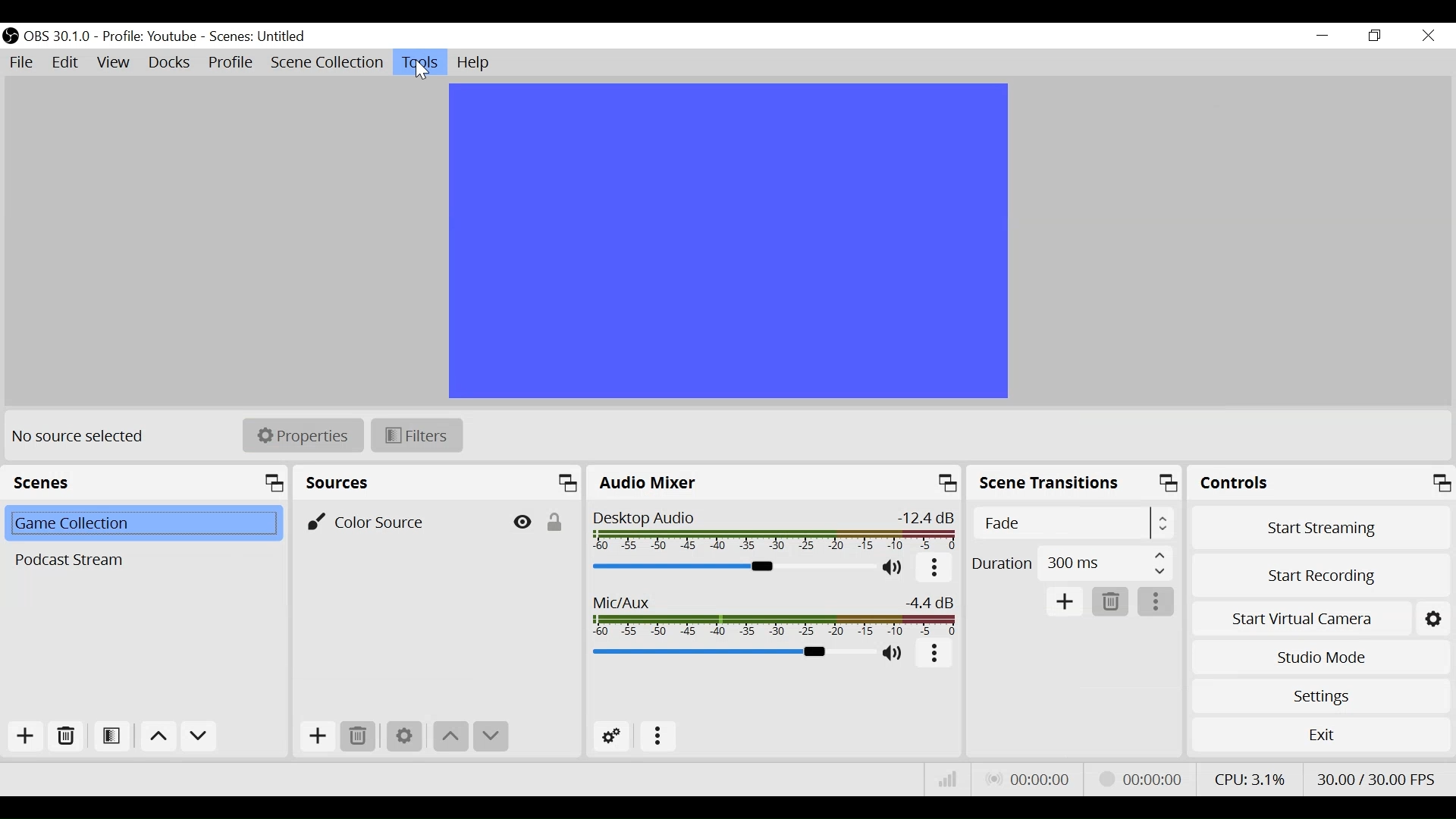  What do you see at coordinates (231, 62) in the screenshot?
I see `Profile` at bounding box center [231, 62].